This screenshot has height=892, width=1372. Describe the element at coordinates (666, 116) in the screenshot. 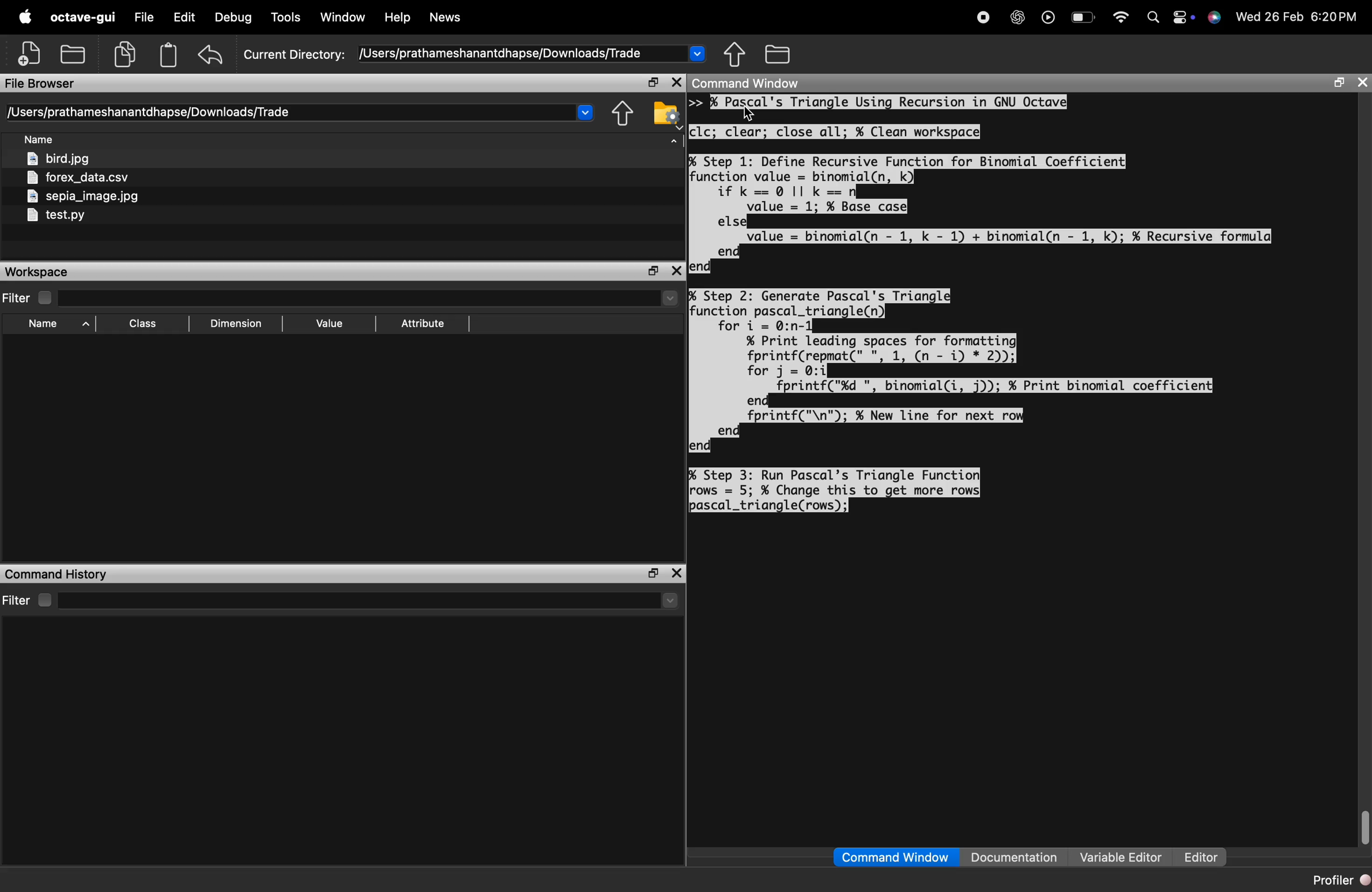

I see `Folder settings` at that location.